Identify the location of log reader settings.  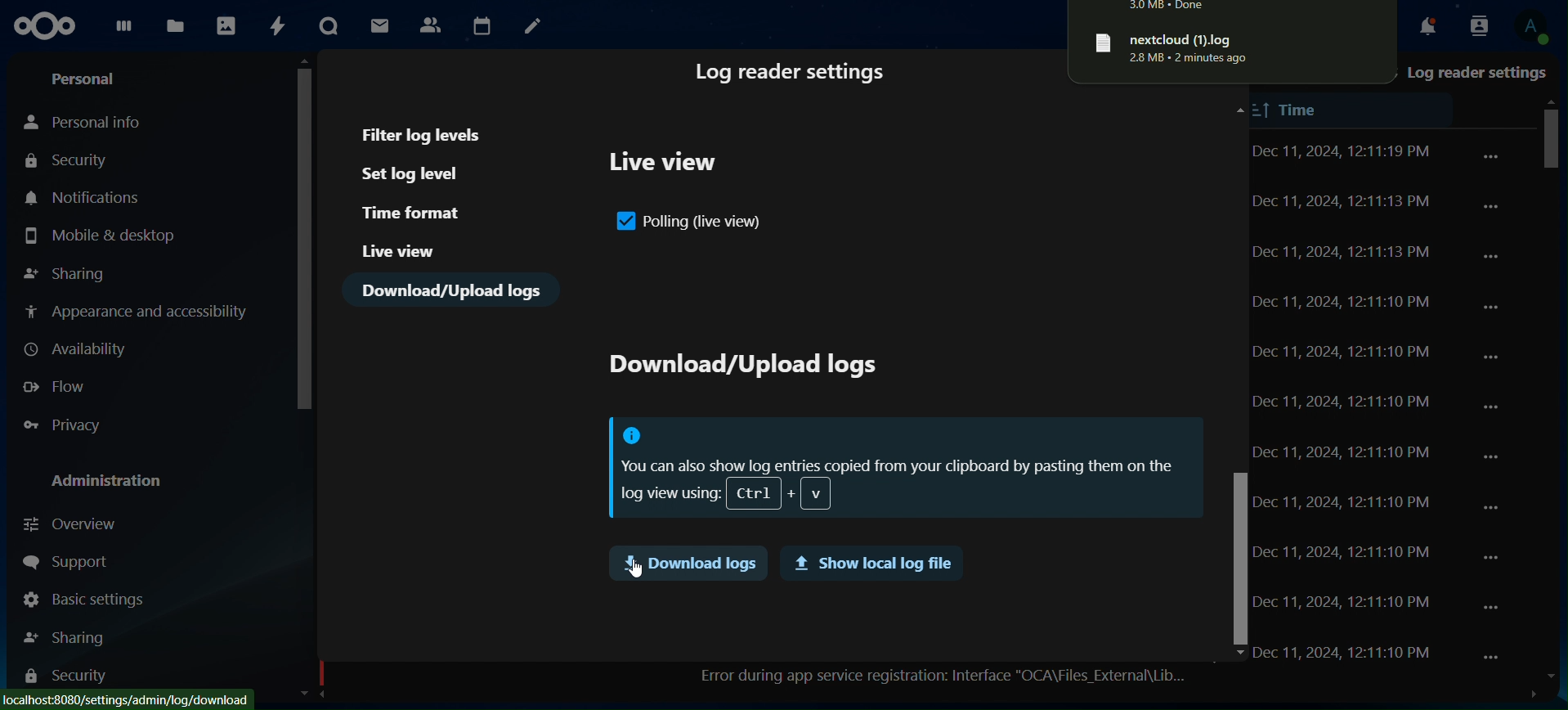
(792, 74).